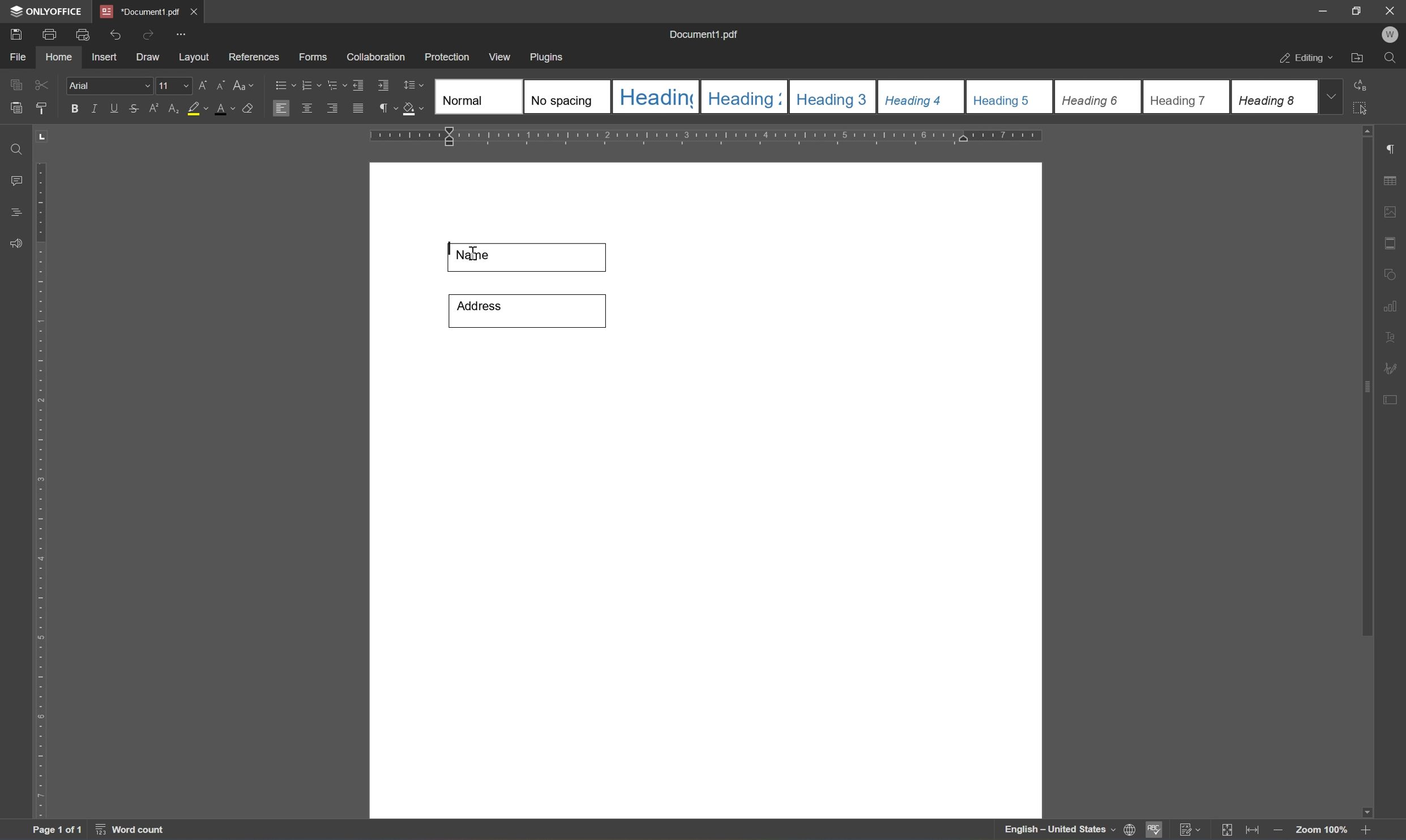 The image size is (1406, 840). Describe the element at coordinates (388, 108) in the screenshot. I see `nonprinting characters` at that location.